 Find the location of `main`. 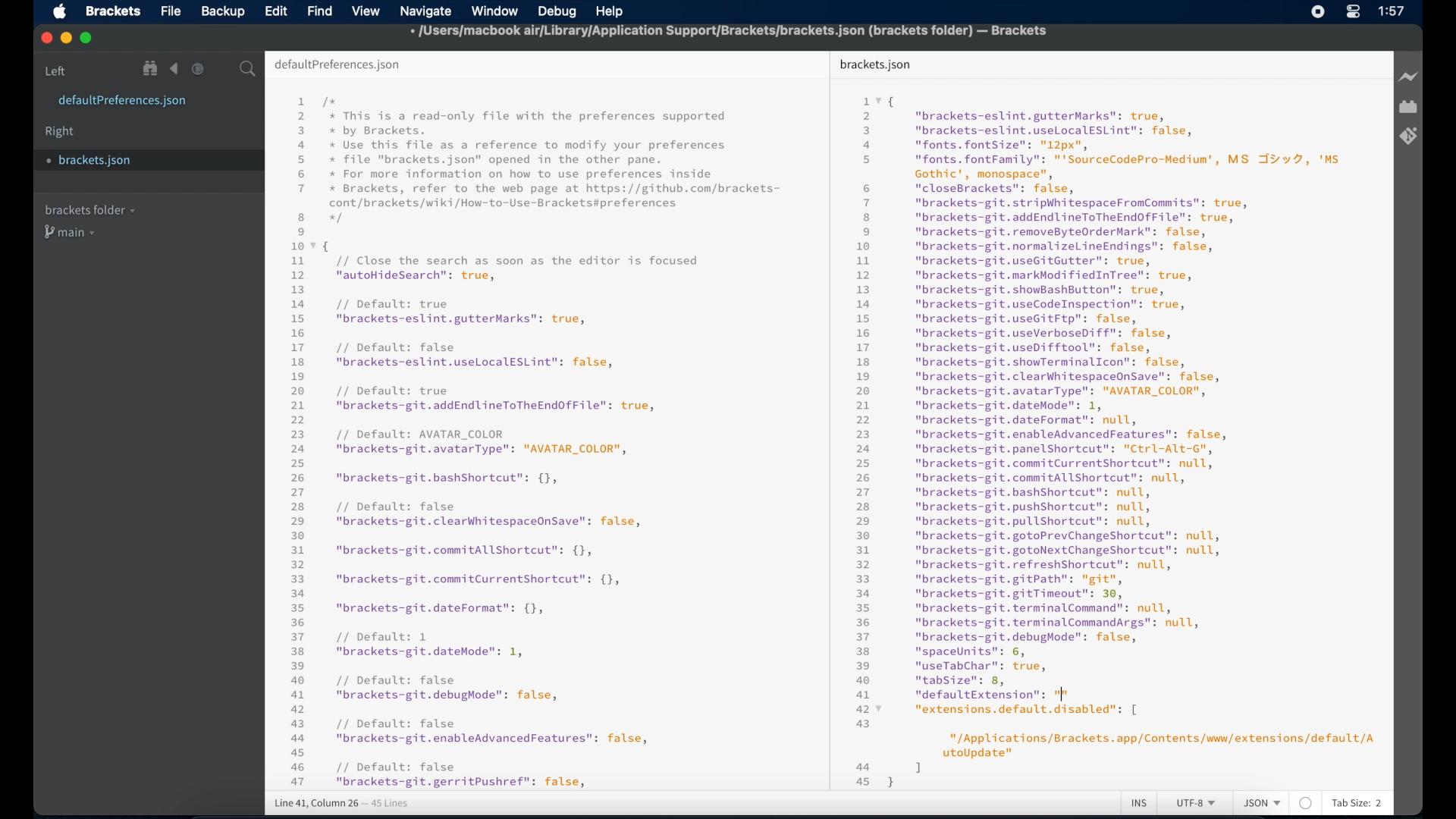

main is located at coordinates (72, 234).